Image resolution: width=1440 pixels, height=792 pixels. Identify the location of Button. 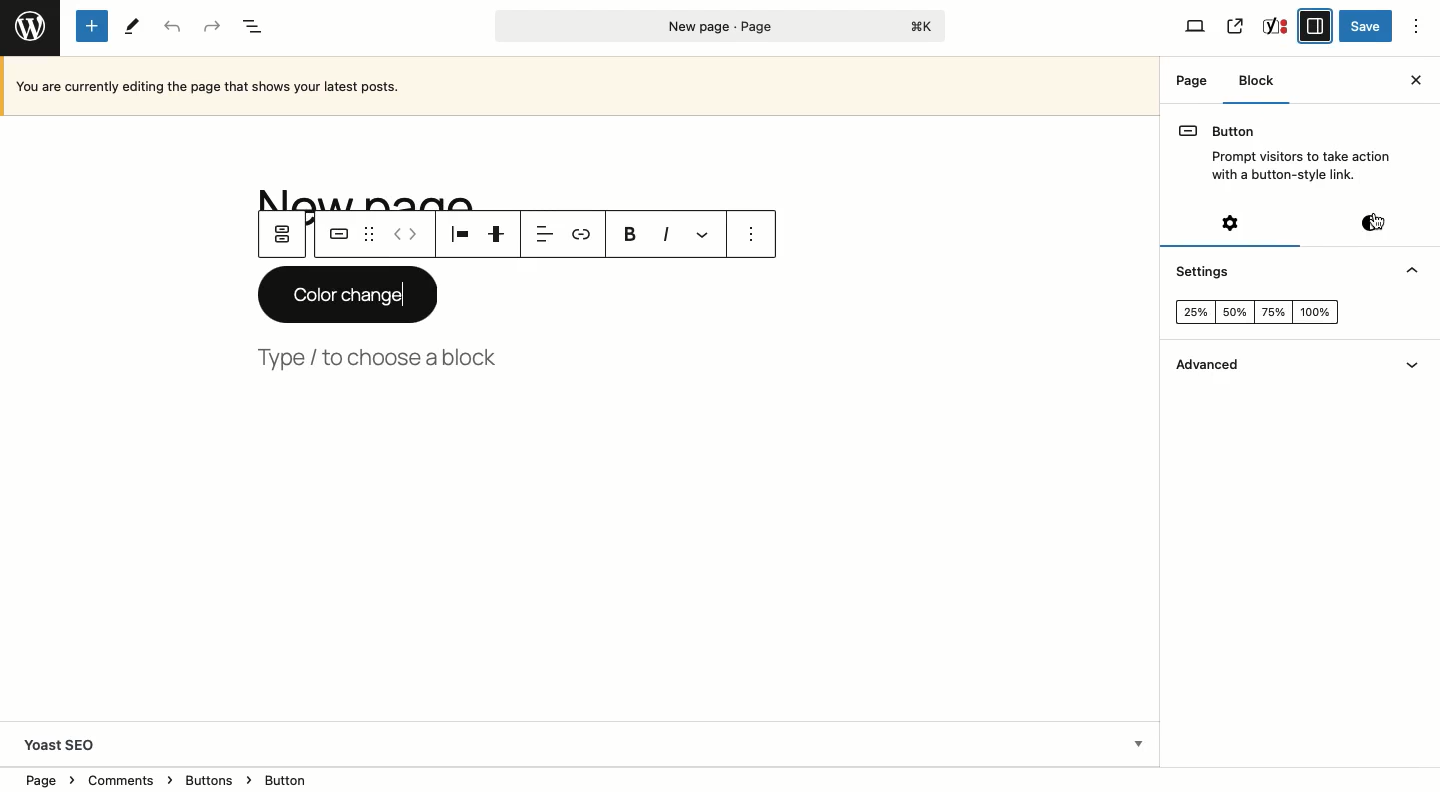
(1284, 148).